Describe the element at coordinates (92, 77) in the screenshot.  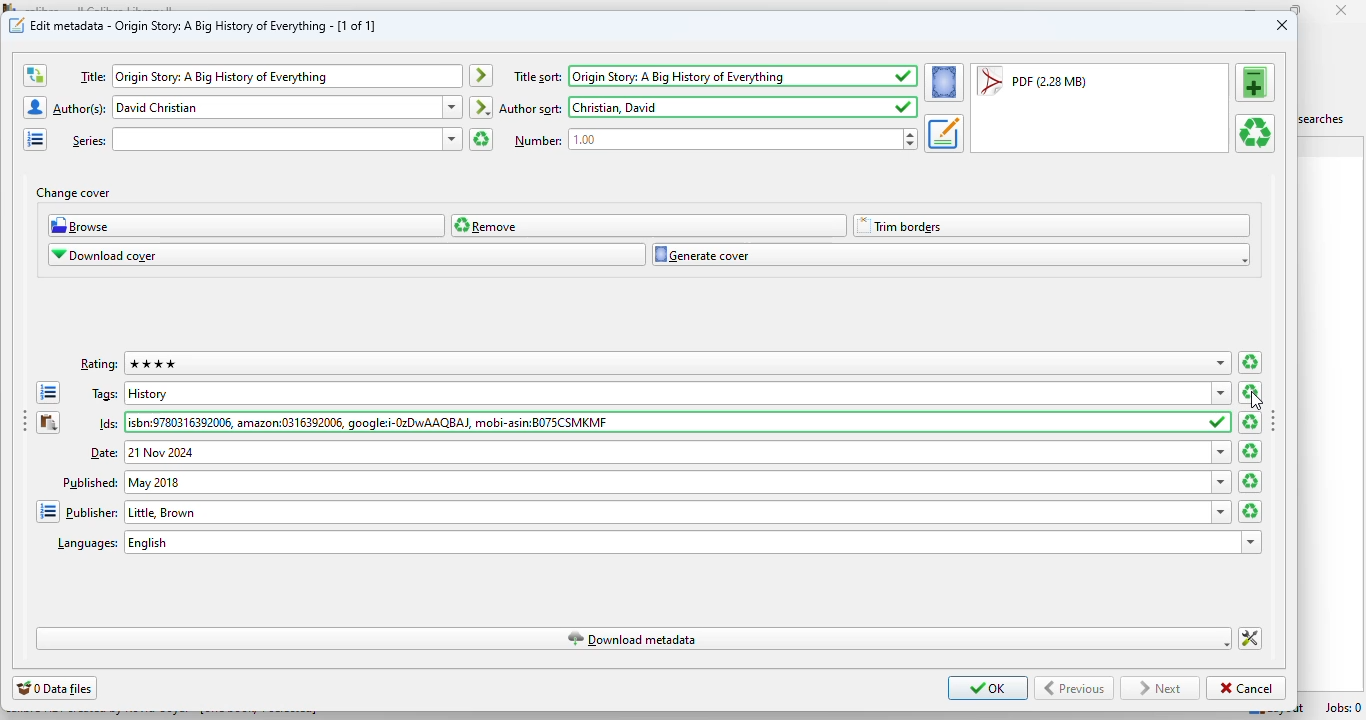
I see `text` at that location.